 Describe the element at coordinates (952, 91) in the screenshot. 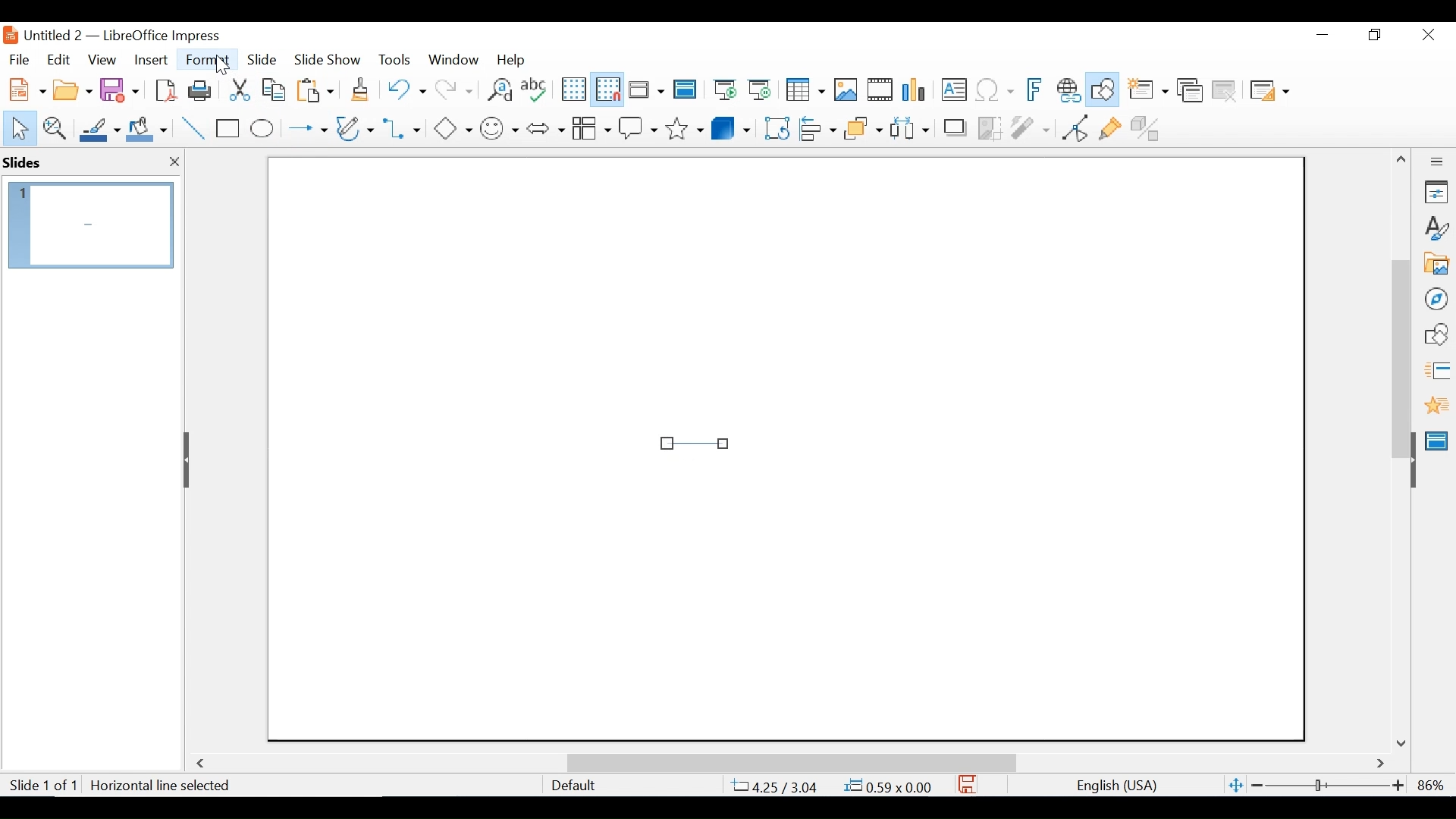

I see `Insert Textbox` at that location.